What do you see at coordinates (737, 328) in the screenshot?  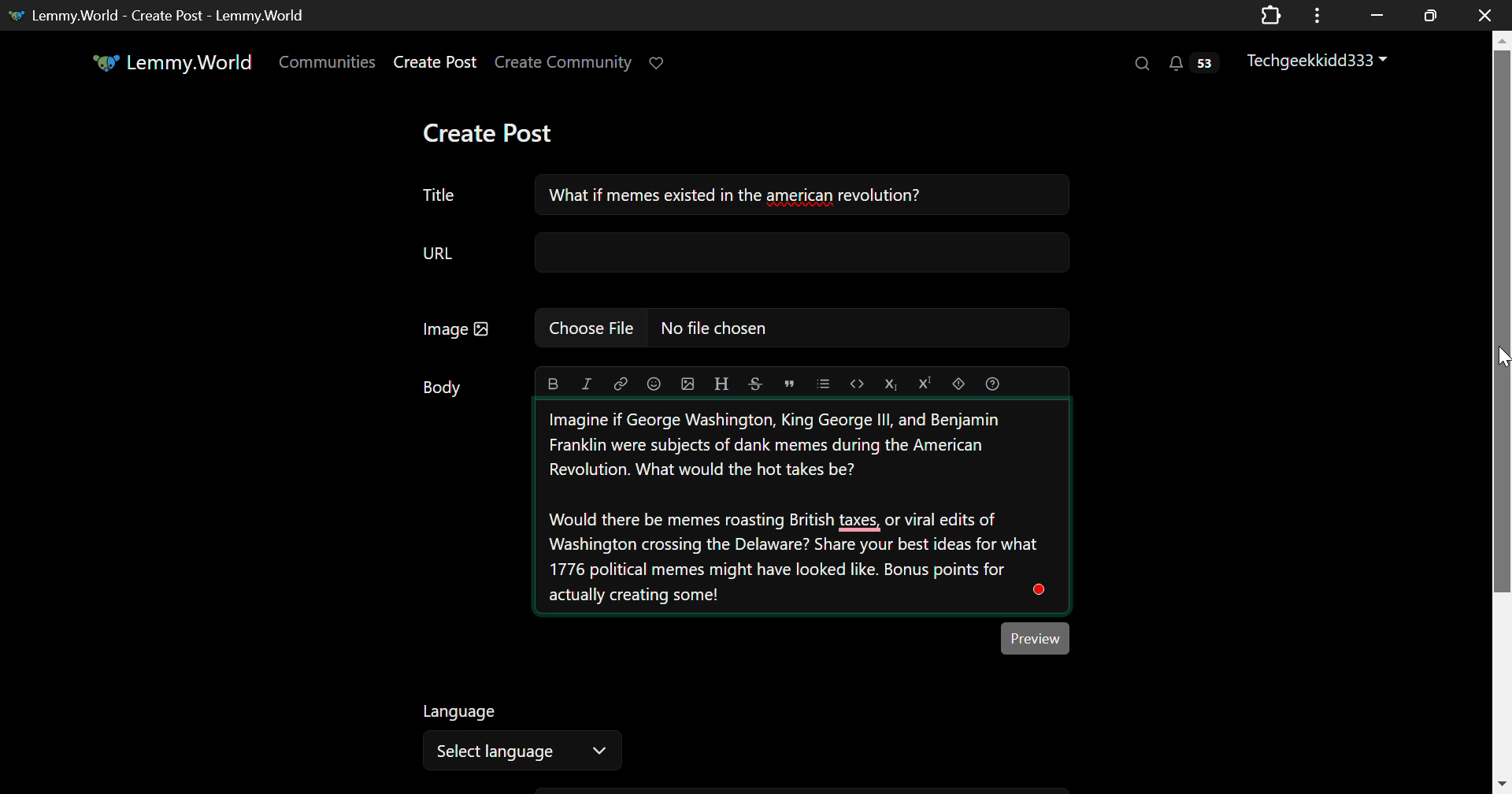 I see `Insert Image Field` at bounding box center [737, 328].